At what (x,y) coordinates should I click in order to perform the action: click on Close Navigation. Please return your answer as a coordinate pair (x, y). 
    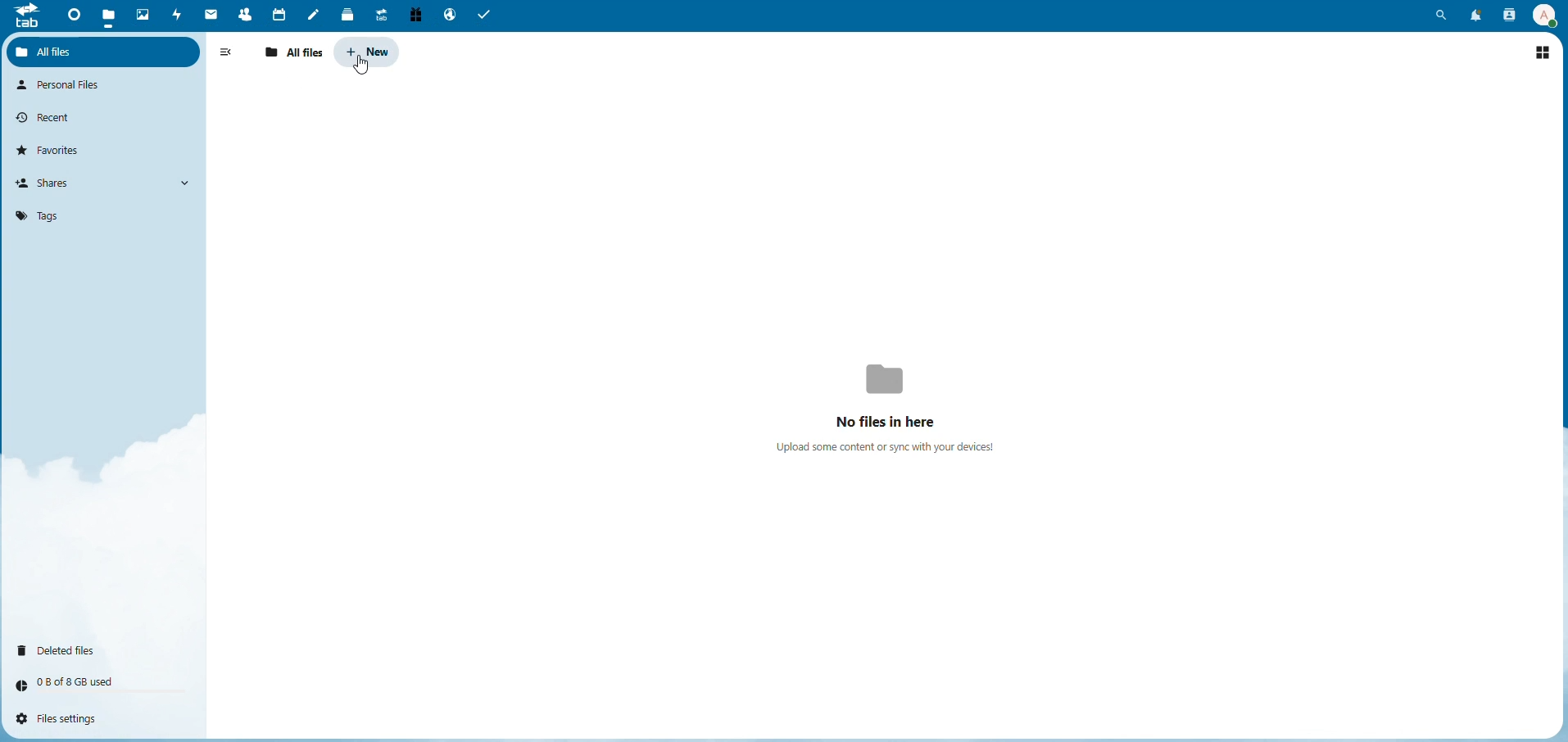
    Looking at the image, I should click on (229, 53).